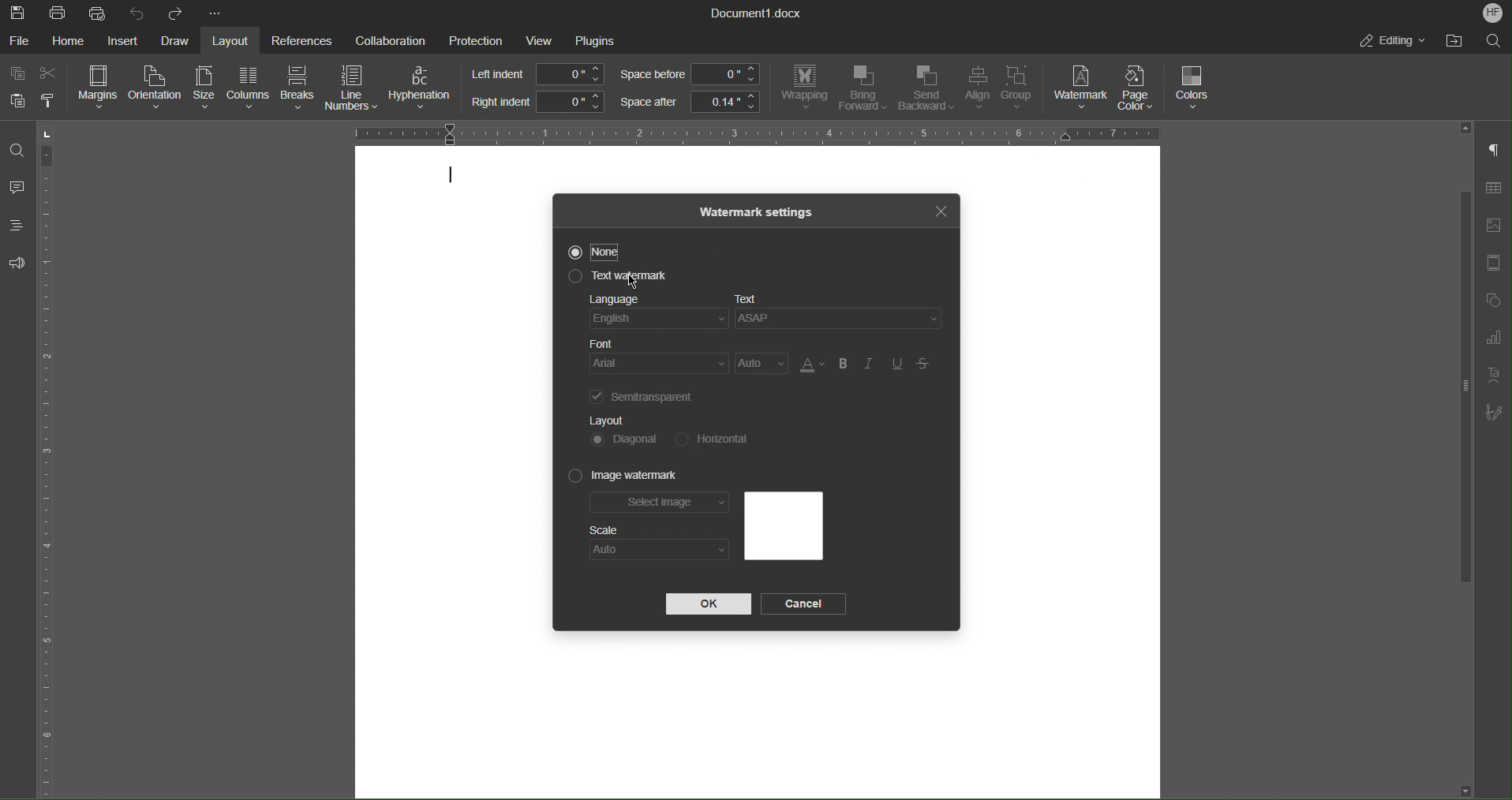 The height and width of the screenshot is (800, 1512). Describe the element at coordinates (1450, 41) in the screenshot. I see `Open File Location` at that location.